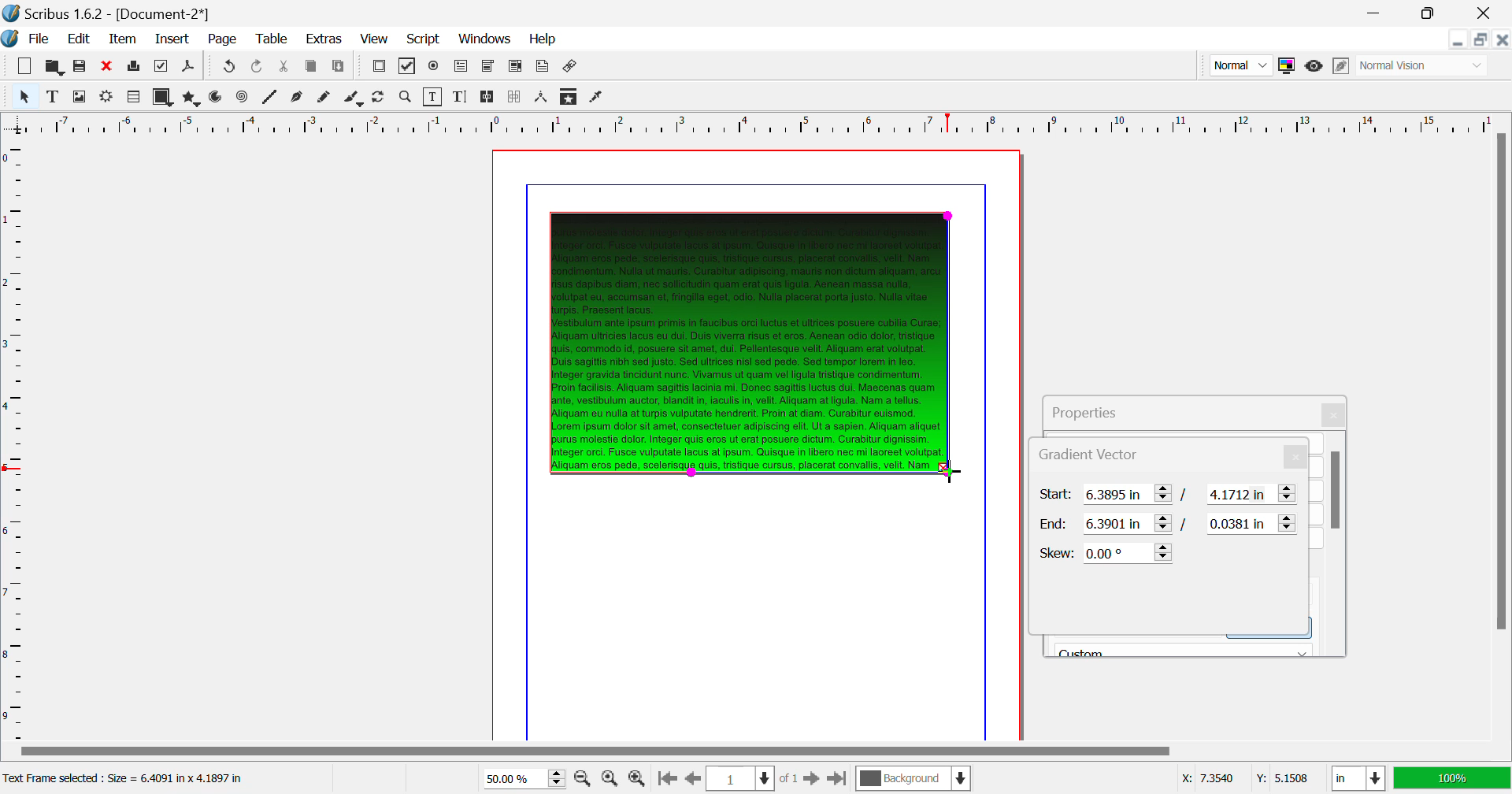  What do you see at coordinates (610, 778) in the screenshot?
I see `Zoom to 100%` at bounding box center [610, 778].